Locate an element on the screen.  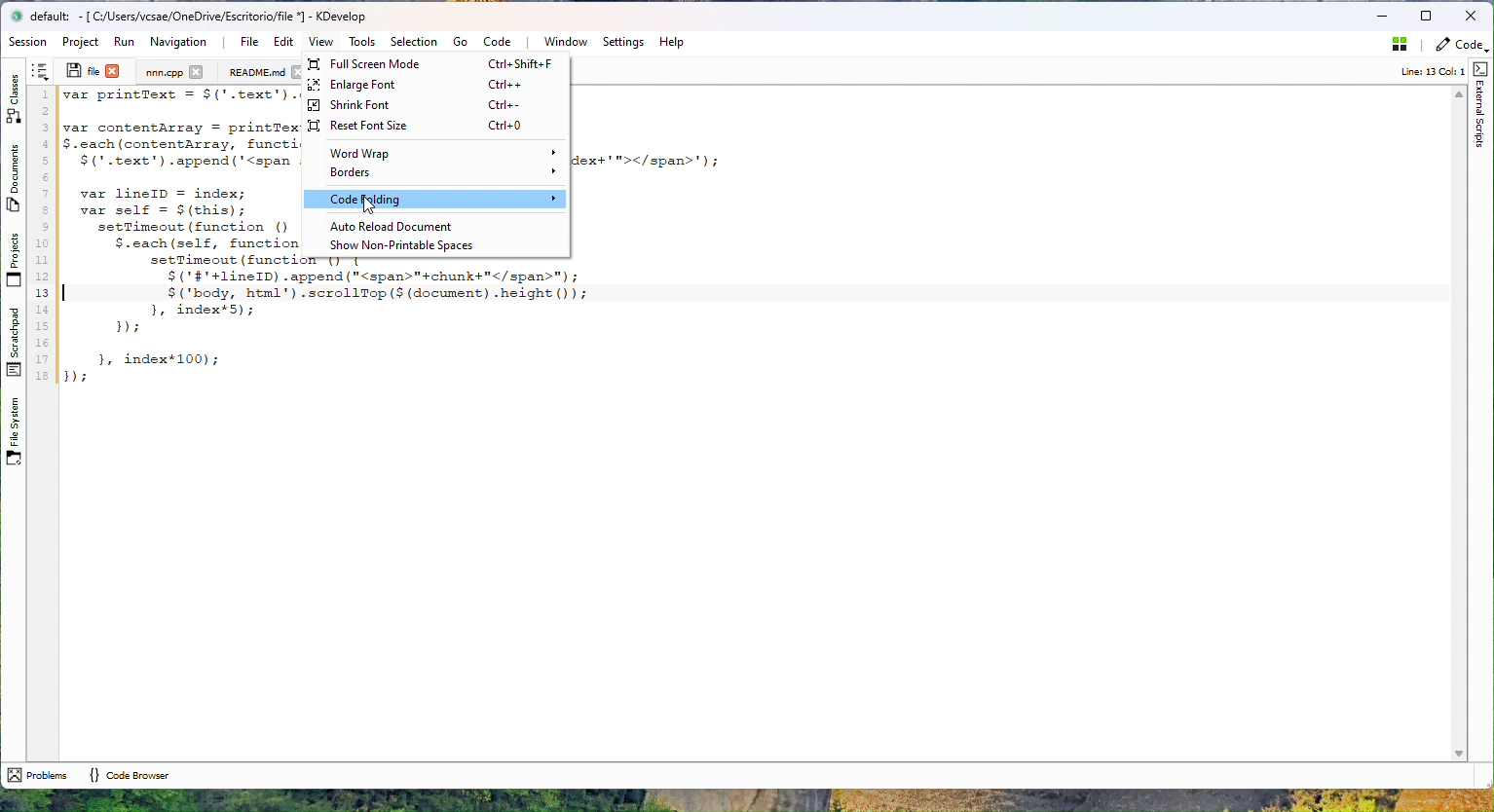
Close is located at coordinates (1471, 17).